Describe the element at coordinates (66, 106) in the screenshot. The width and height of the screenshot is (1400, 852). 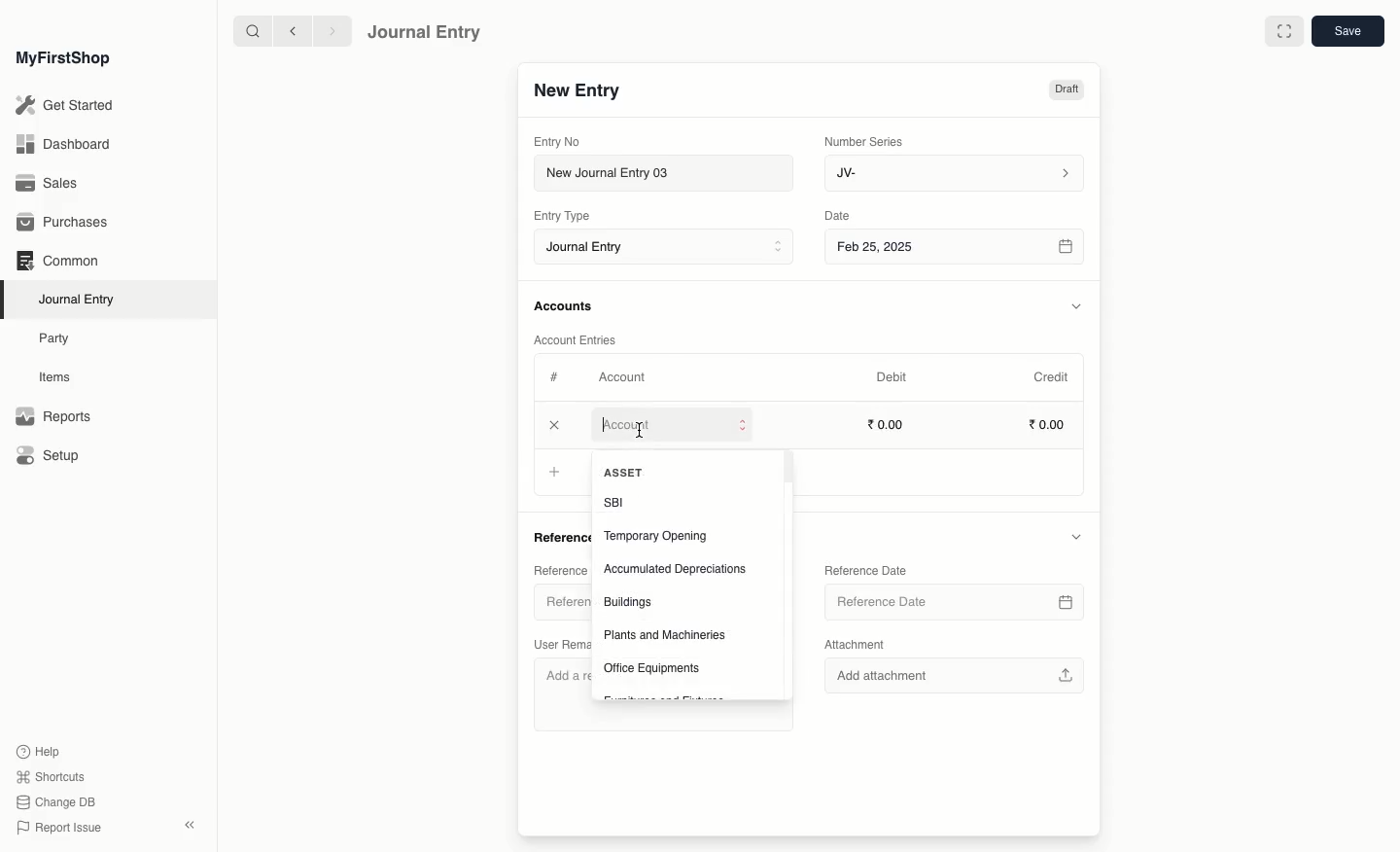
I see `Get Started` at that location.